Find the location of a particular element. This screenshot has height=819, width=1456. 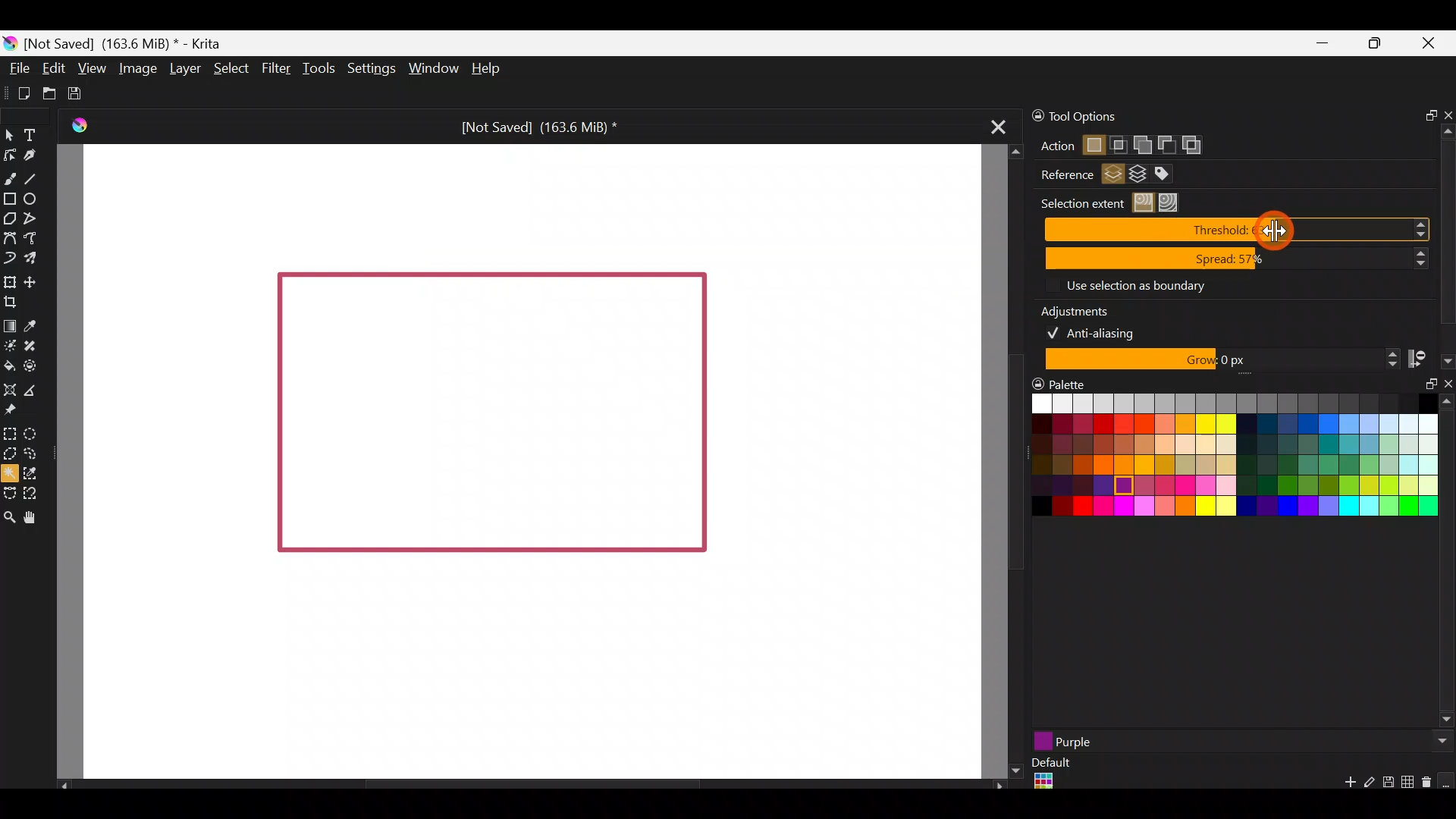

Select all regions until a specific boundary colour is located at coordinates (1172, 202).